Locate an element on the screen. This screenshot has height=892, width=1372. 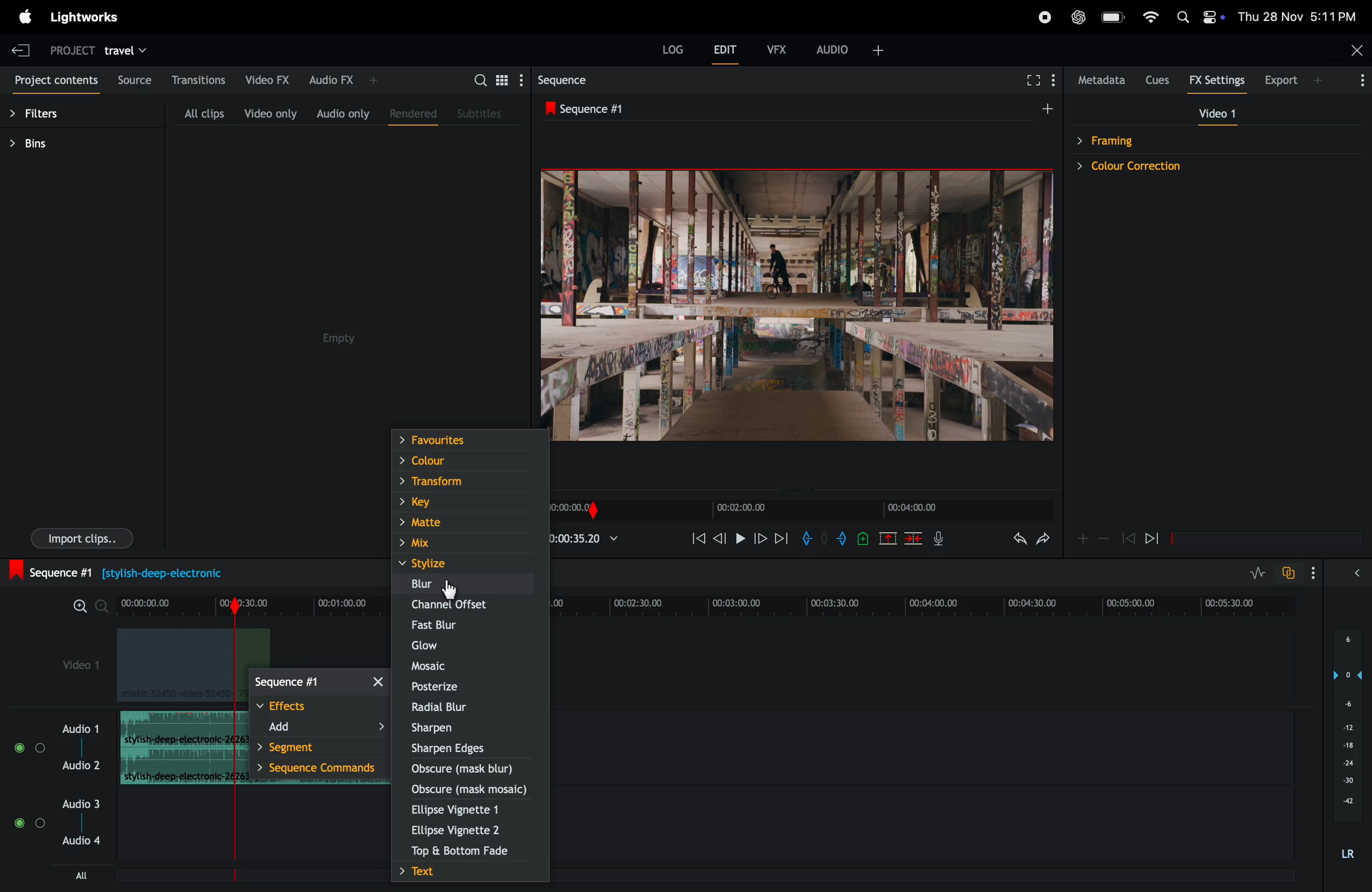
toggle betweeen list view is located at coordinates (503, 80).